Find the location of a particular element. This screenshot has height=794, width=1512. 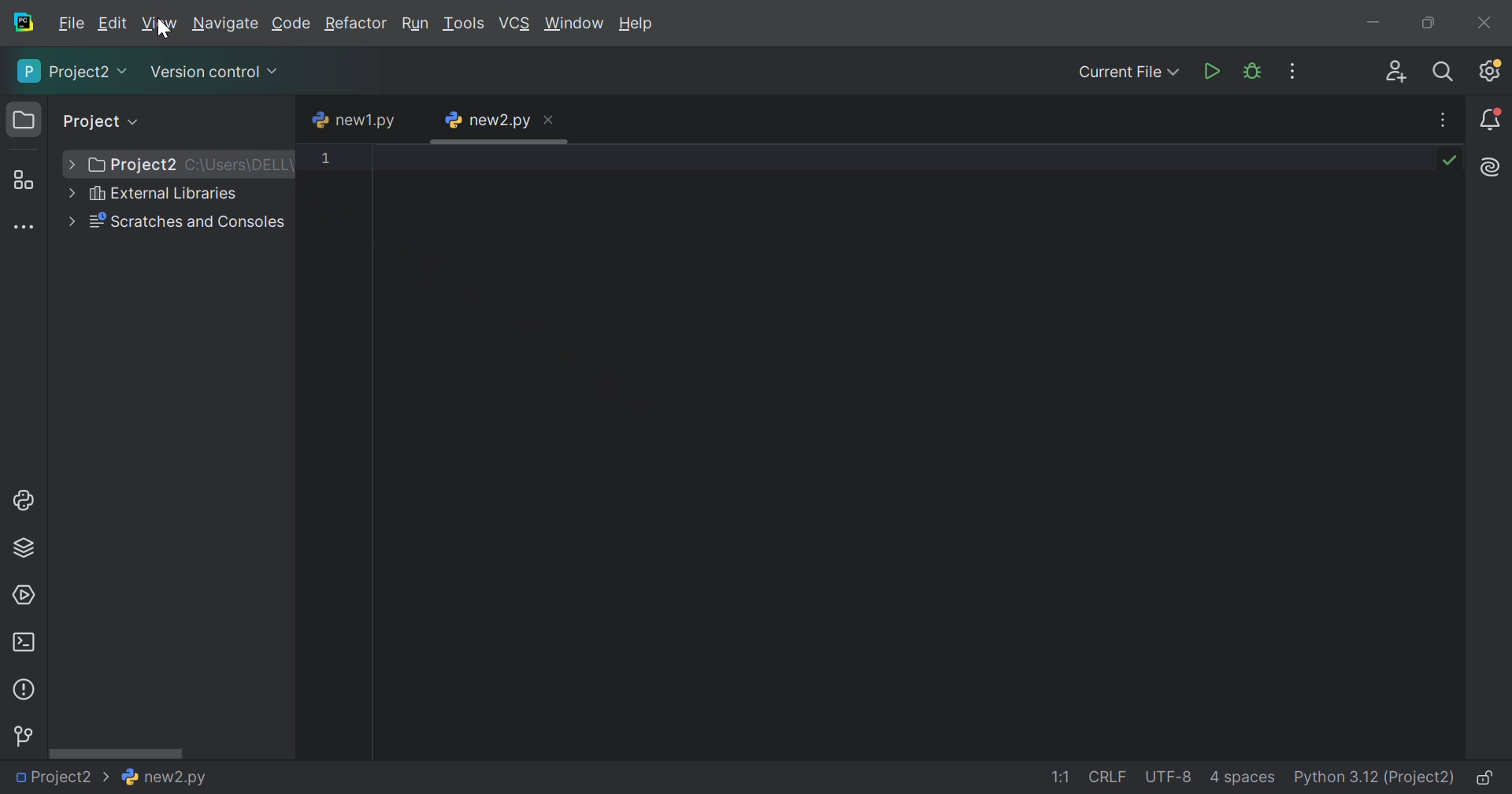

More is located at coordinates (71, 222).